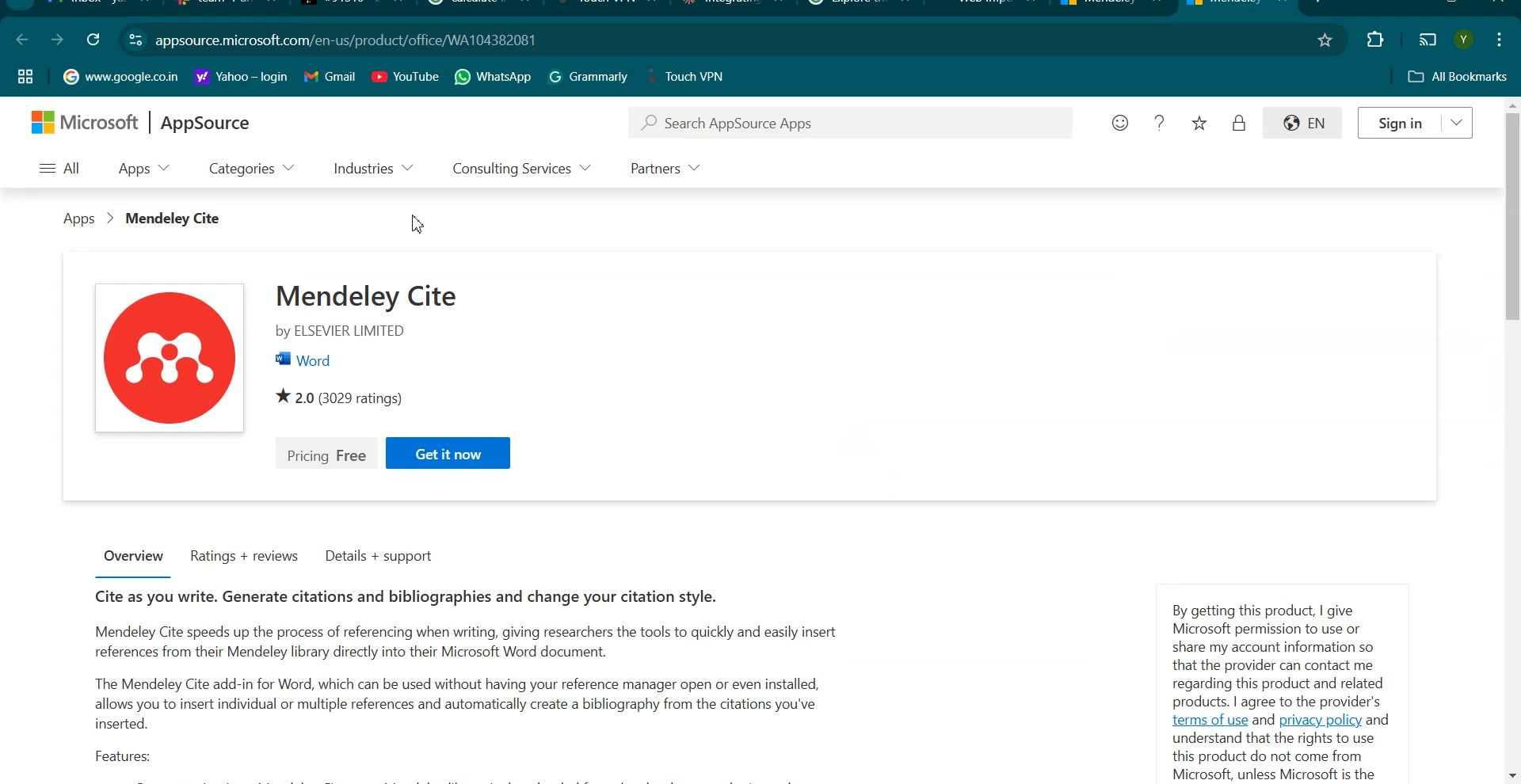 The image size is (1521, 784). What do you see at coordinates (241, 77) in the screenshot?
I see `Yahoo Bookmarks` at bounding box center [241, 77].